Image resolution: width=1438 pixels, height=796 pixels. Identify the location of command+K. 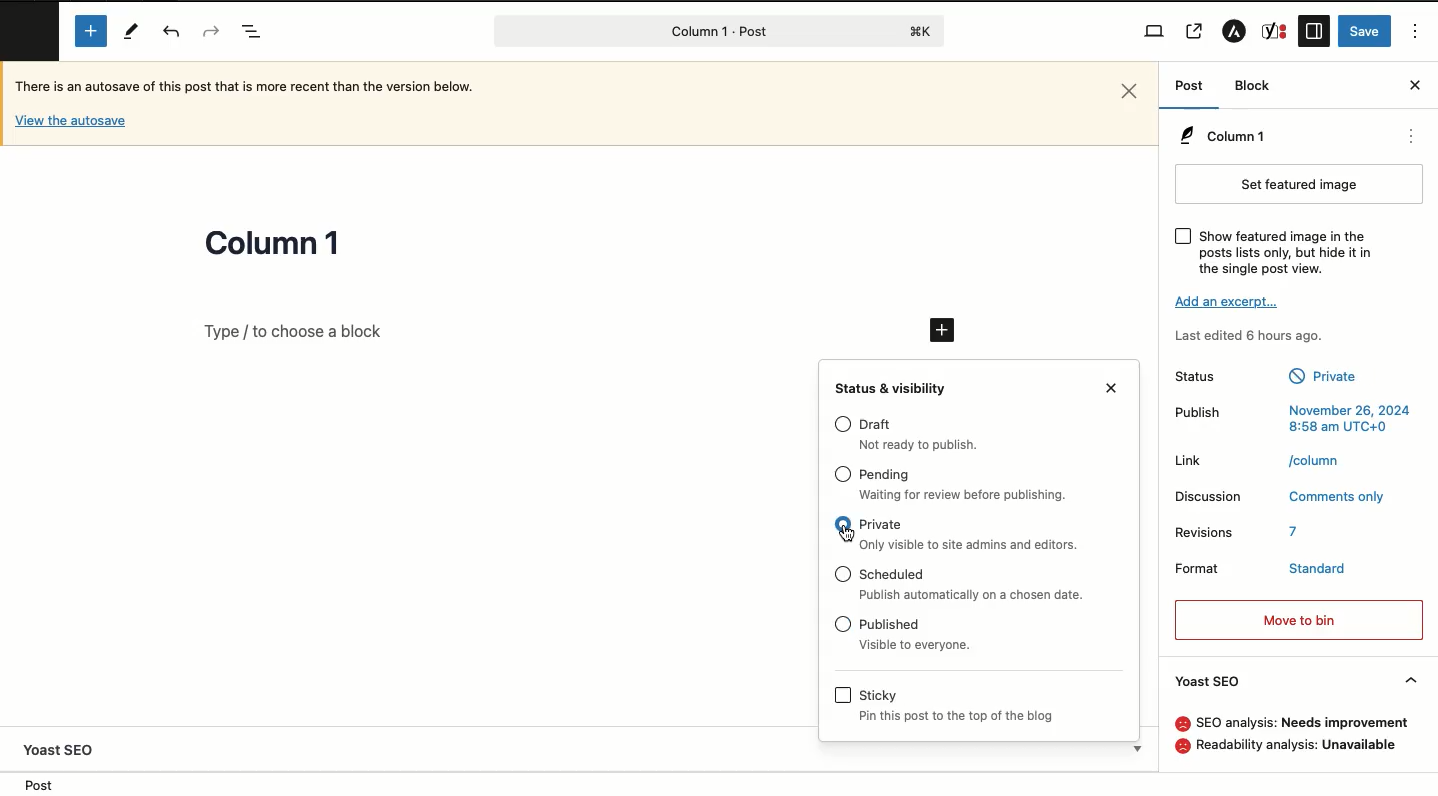
(922, 31).